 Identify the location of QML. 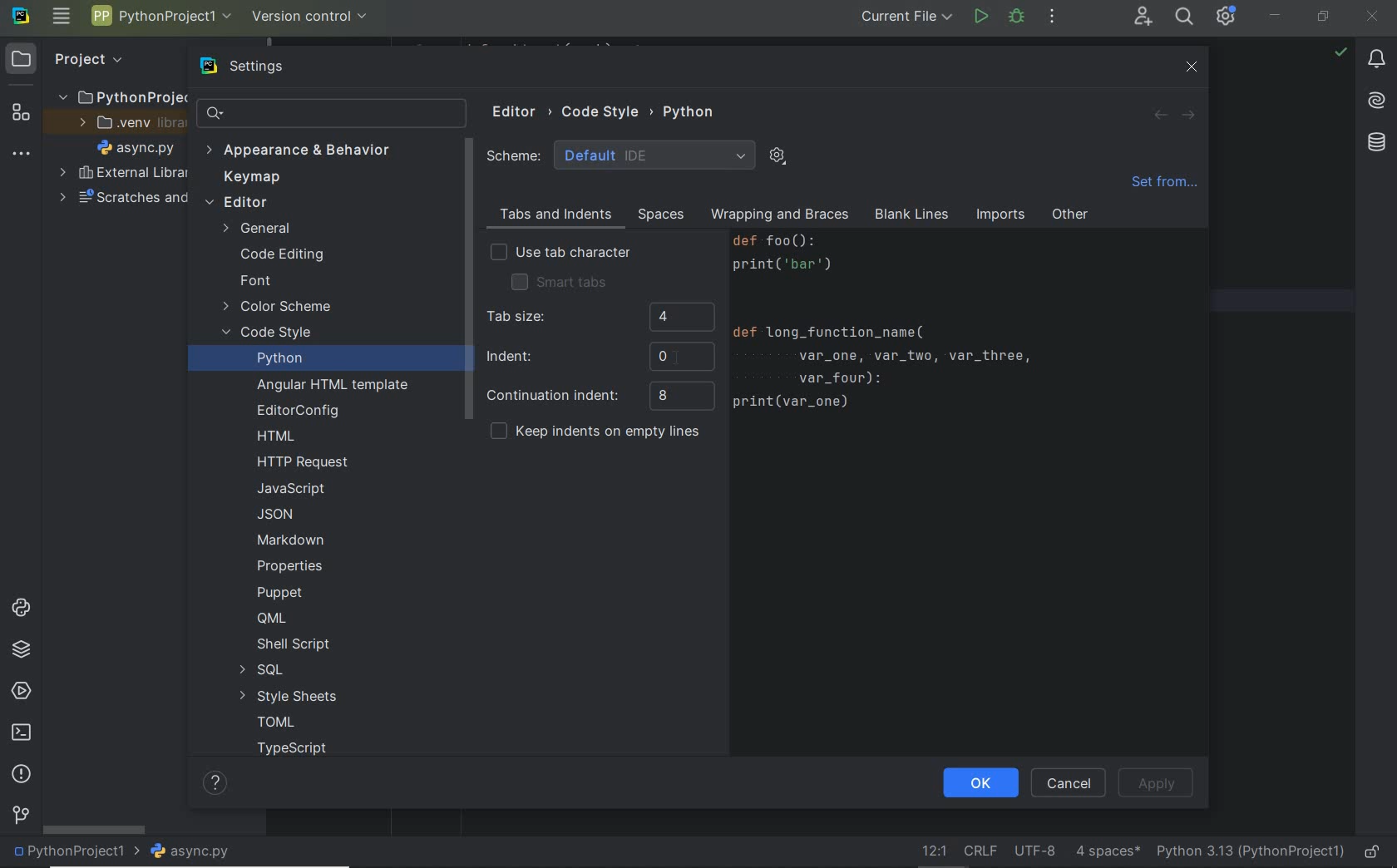
(270, 618).